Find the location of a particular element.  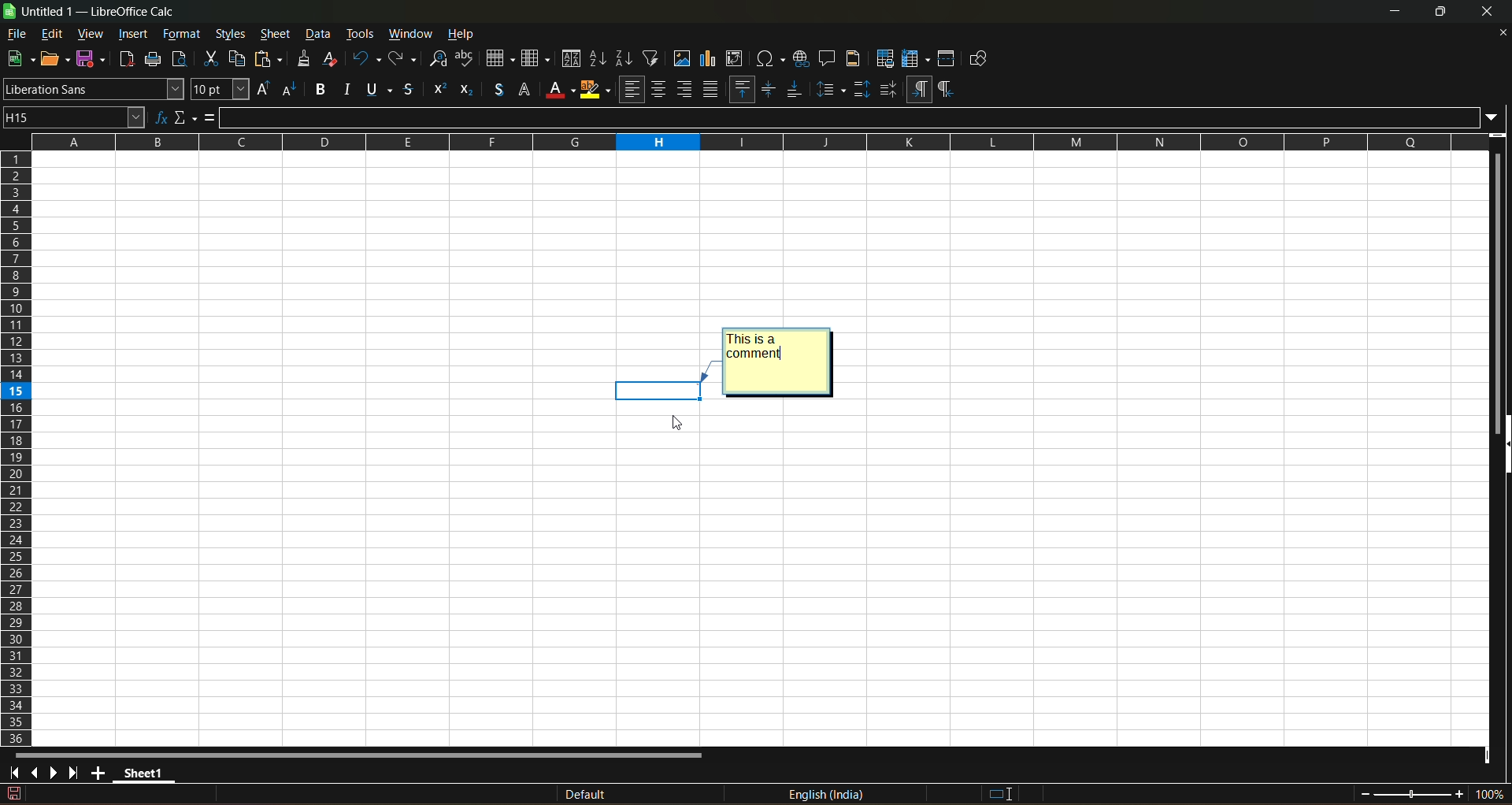

scroll to first sheet is located at coordinates (15, 773).